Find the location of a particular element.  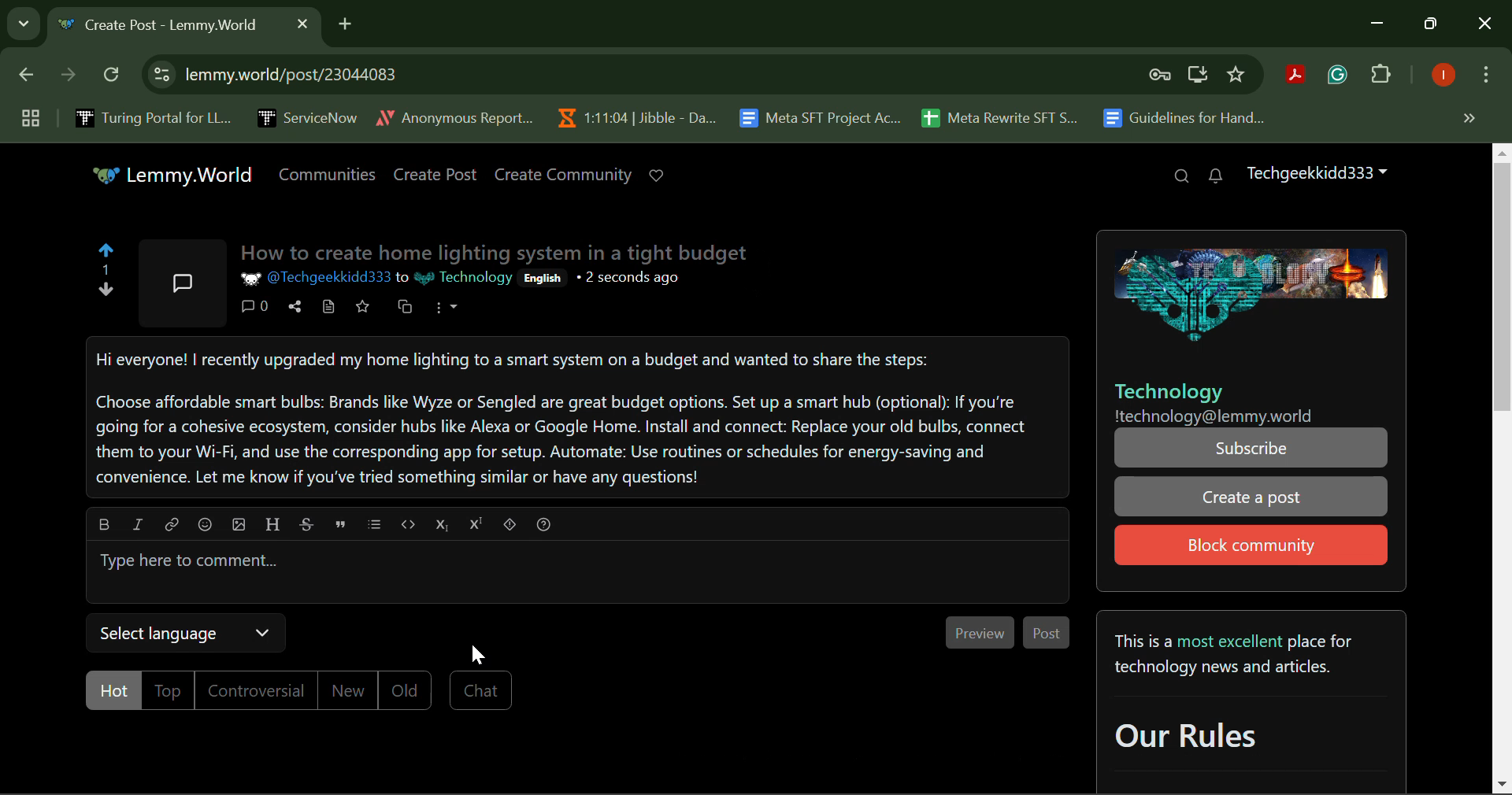

Previous Page is located at coordinates (29, 78).